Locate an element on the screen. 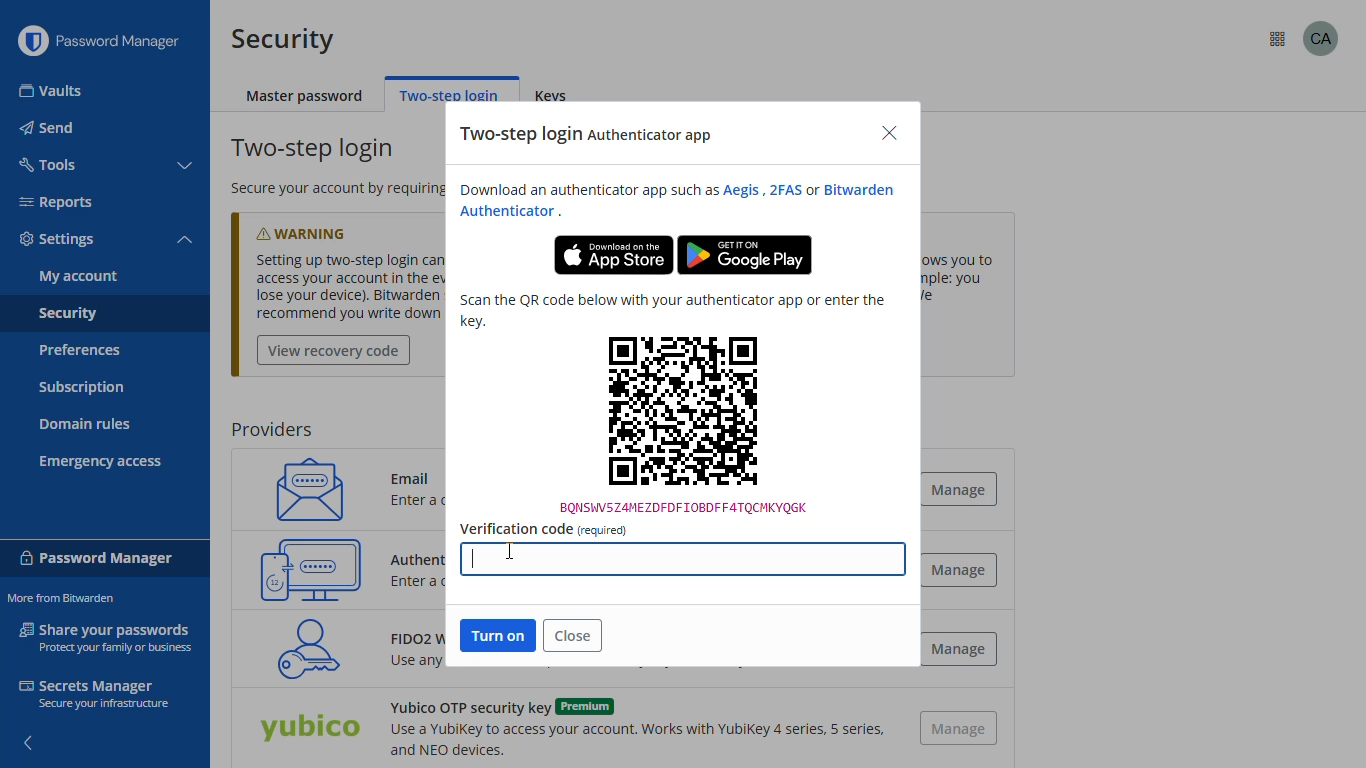 Image resolution: width=1366 pixels, height=768 pixels. FIDO2 WebAuthn
Use any WebAuthn compatible security key to access your account. is located at coordinates (402, 656).